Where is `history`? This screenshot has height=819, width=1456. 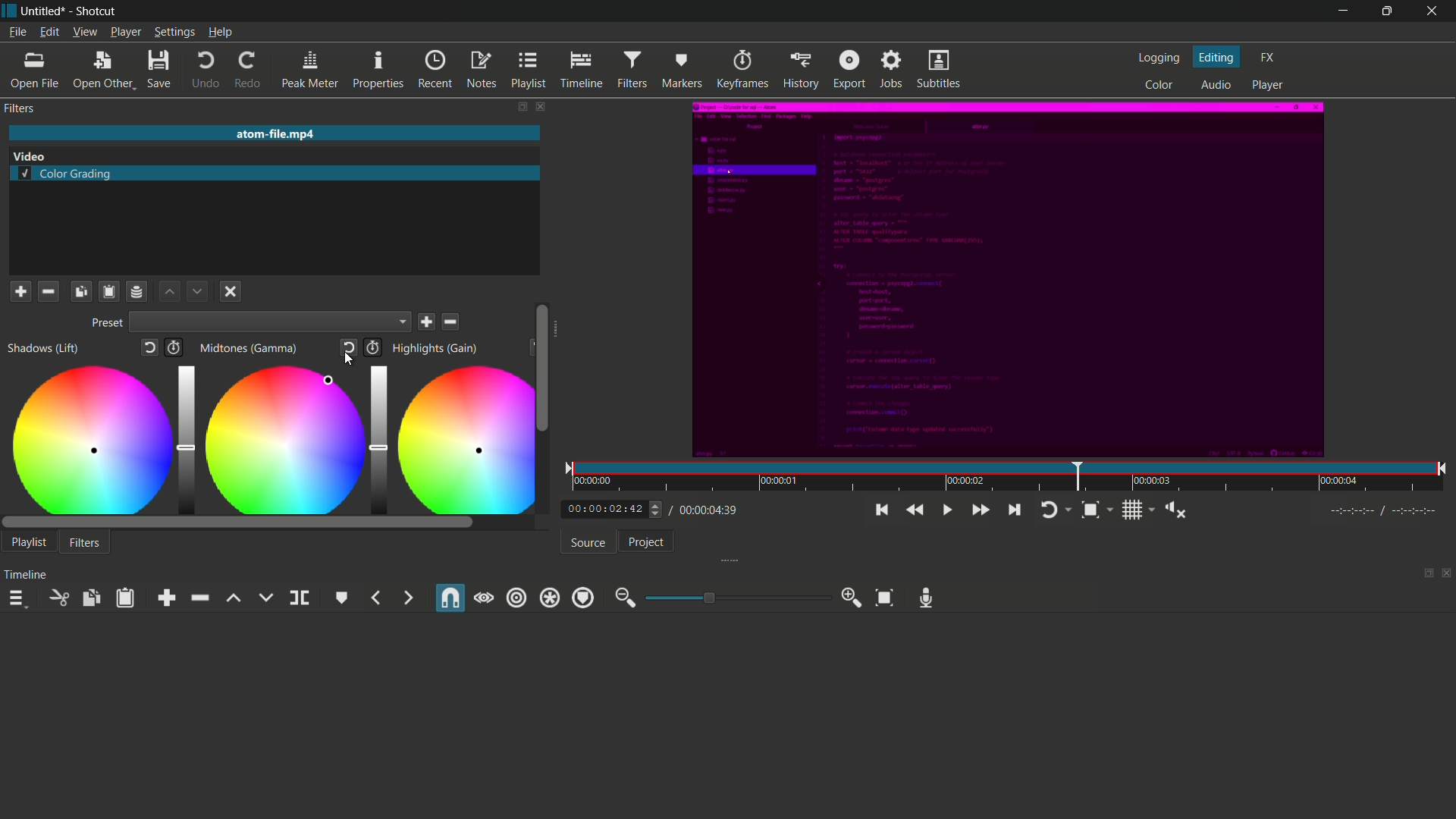 history is located at coordinates (800, 69).